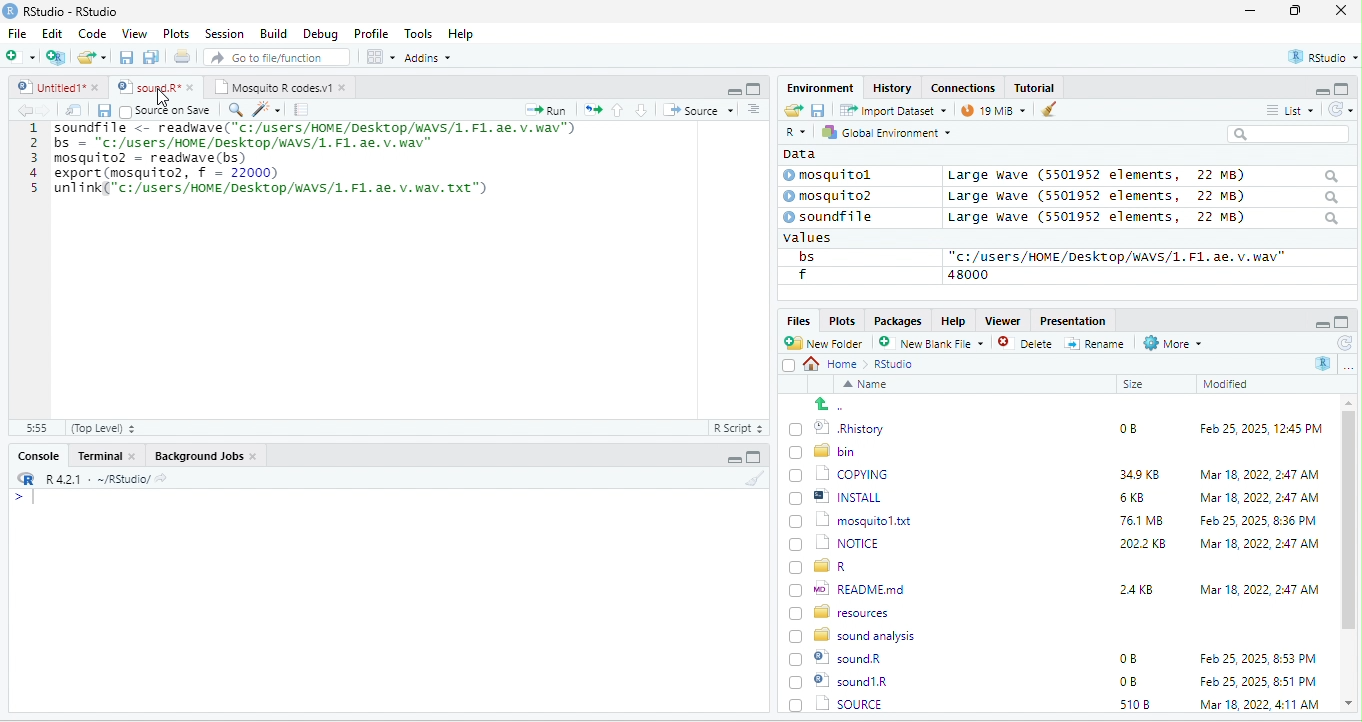 This screenshot has height=722, width=1362. I want to click on sharpen, so click(267, 109).